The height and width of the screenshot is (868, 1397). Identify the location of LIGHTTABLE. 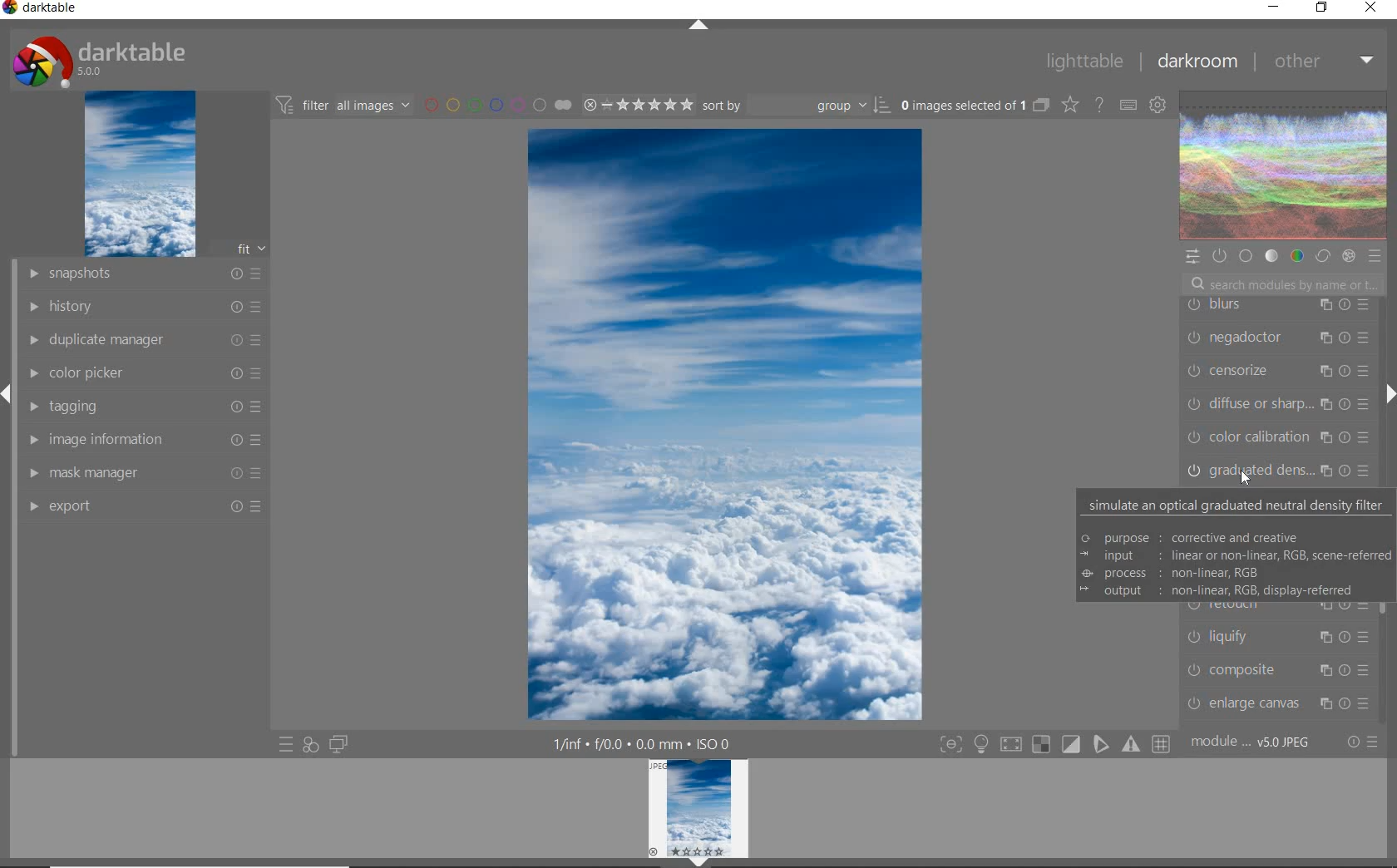
(1083, 60).